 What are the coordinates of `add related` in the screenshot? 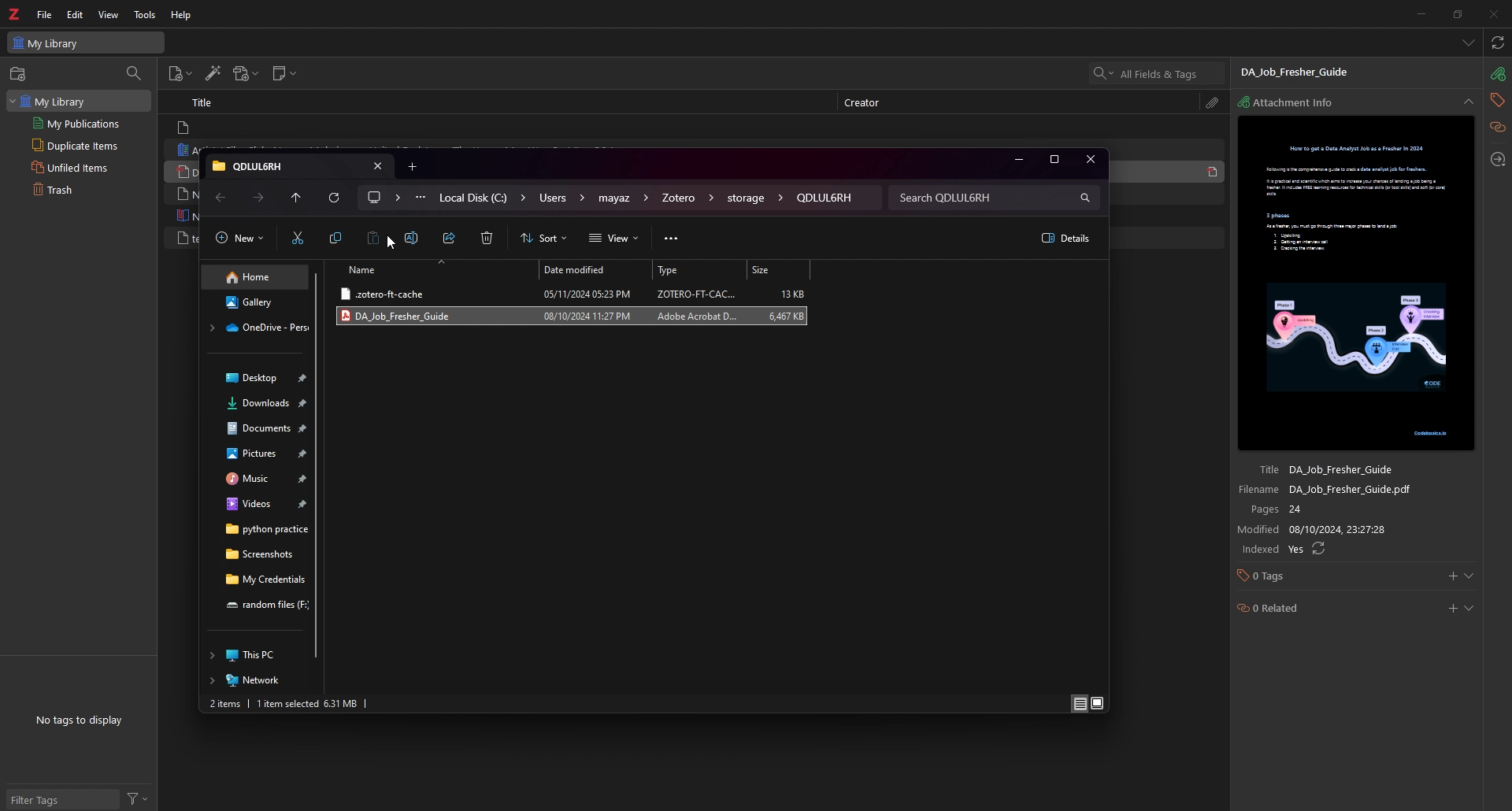 It's located at (1452, 609).